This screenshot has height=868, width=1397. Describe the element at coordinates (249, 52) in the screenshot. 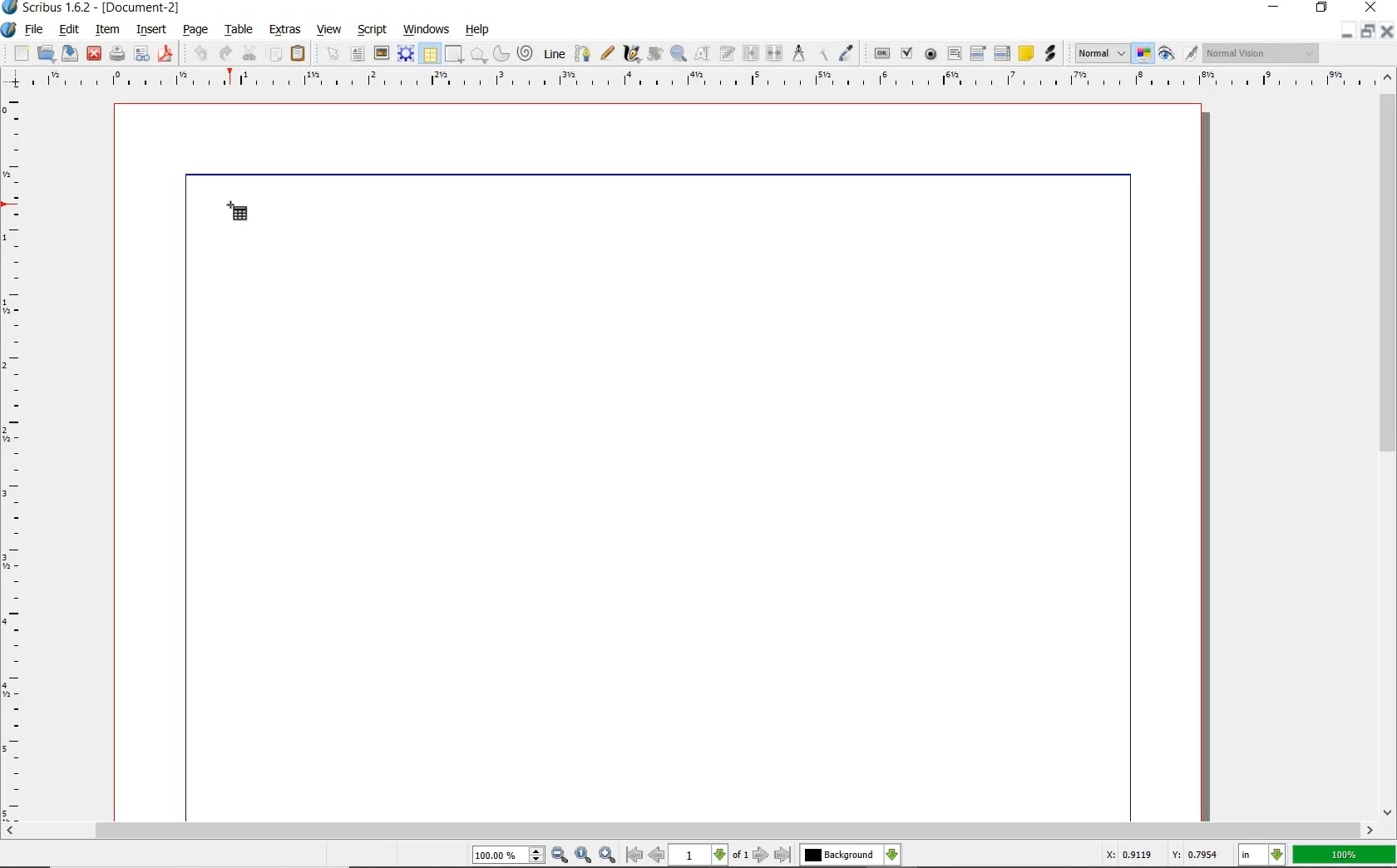

I see `cut` at that location.